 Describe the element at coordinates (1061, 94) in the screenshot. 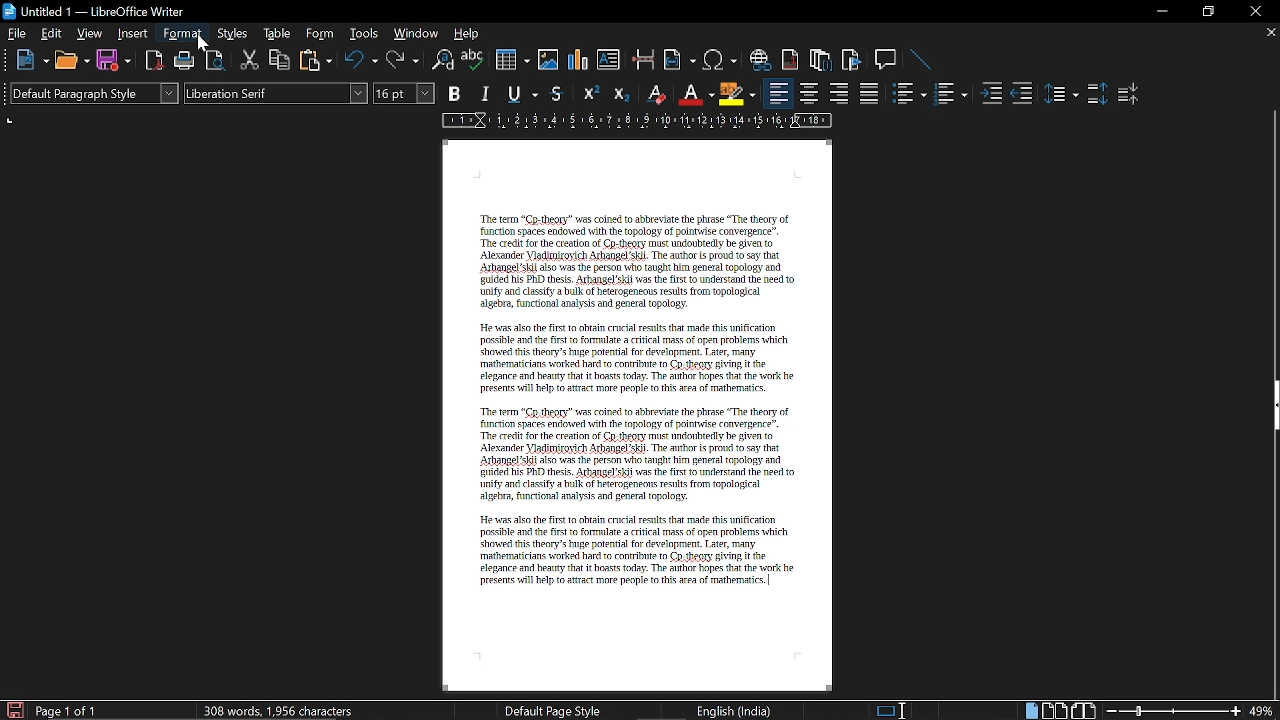

I see `Set line spacing` at that location.